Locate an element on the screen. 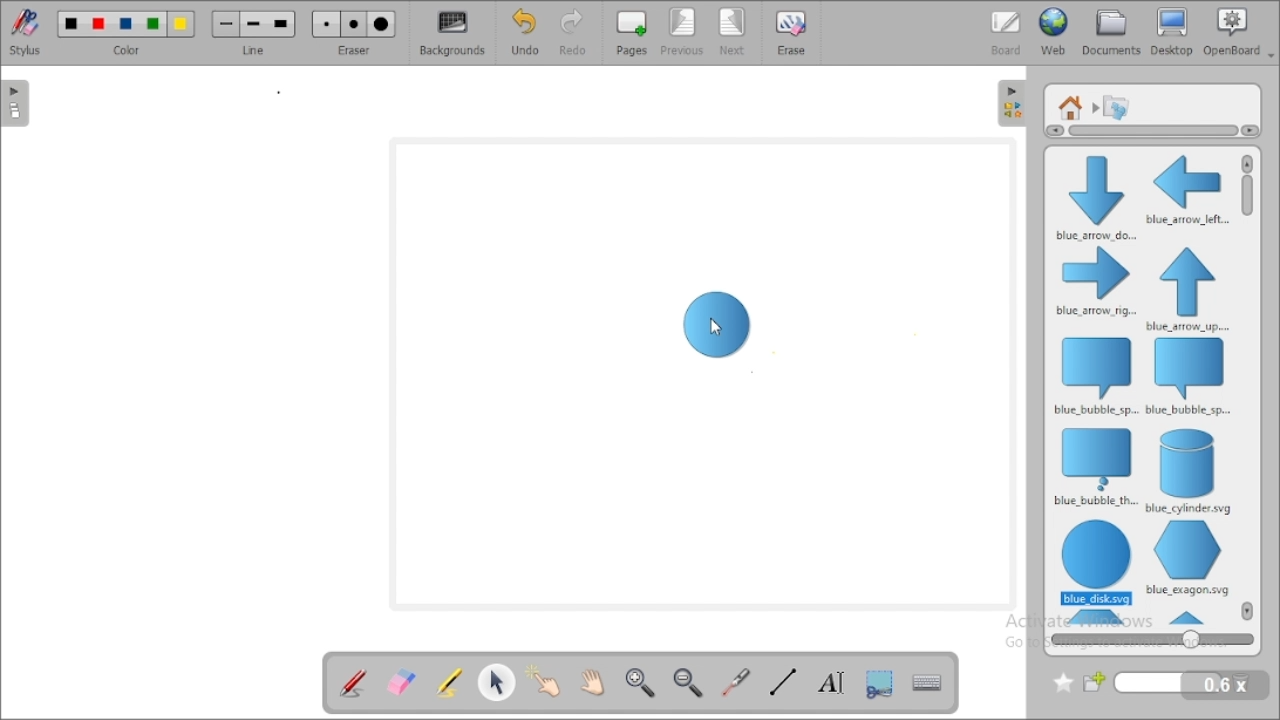  visual laser pointer is located at coordinates (737, 683).